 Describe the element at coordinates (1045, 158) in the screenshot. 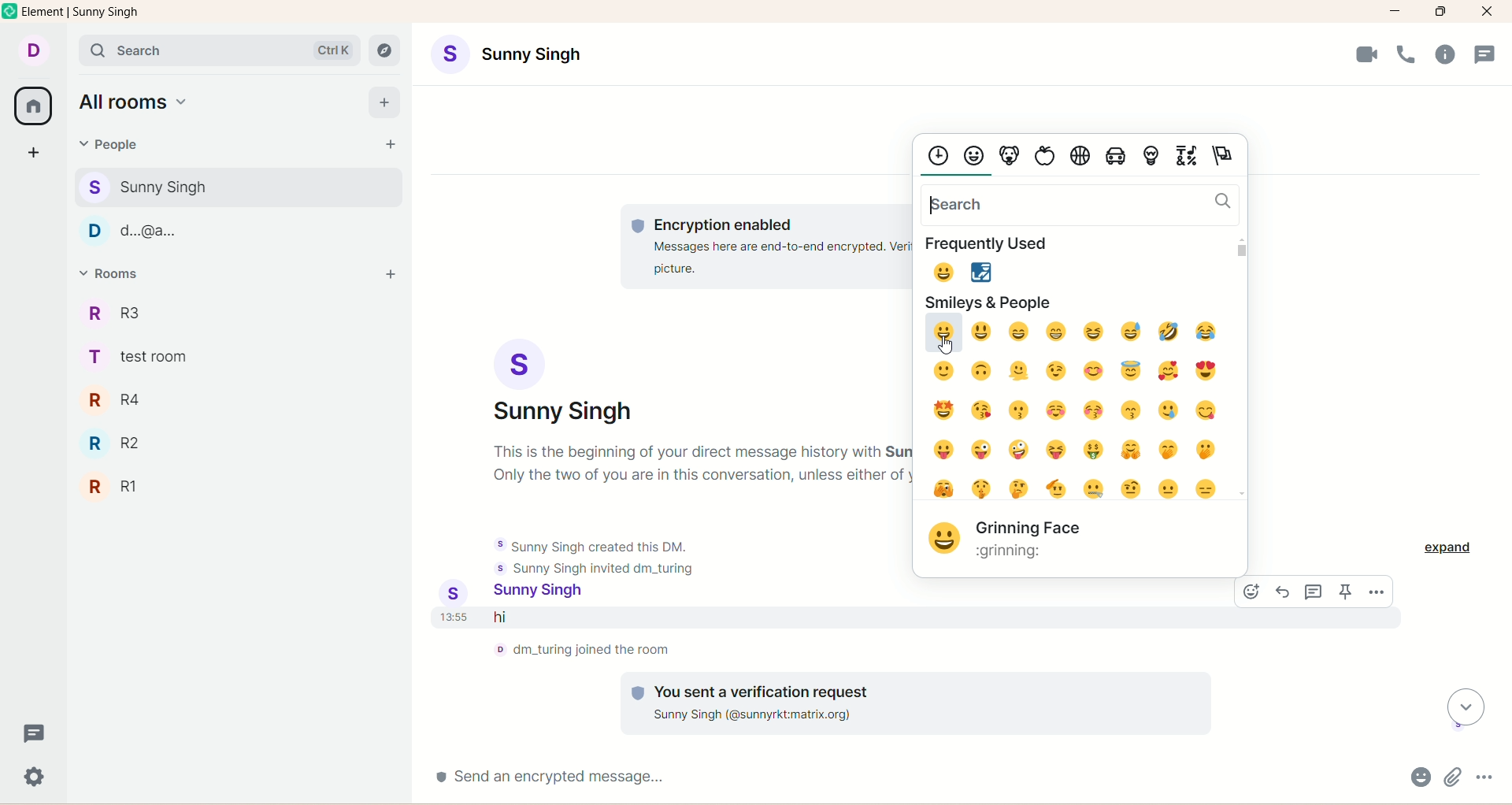

I see `Food and drink` at that location.